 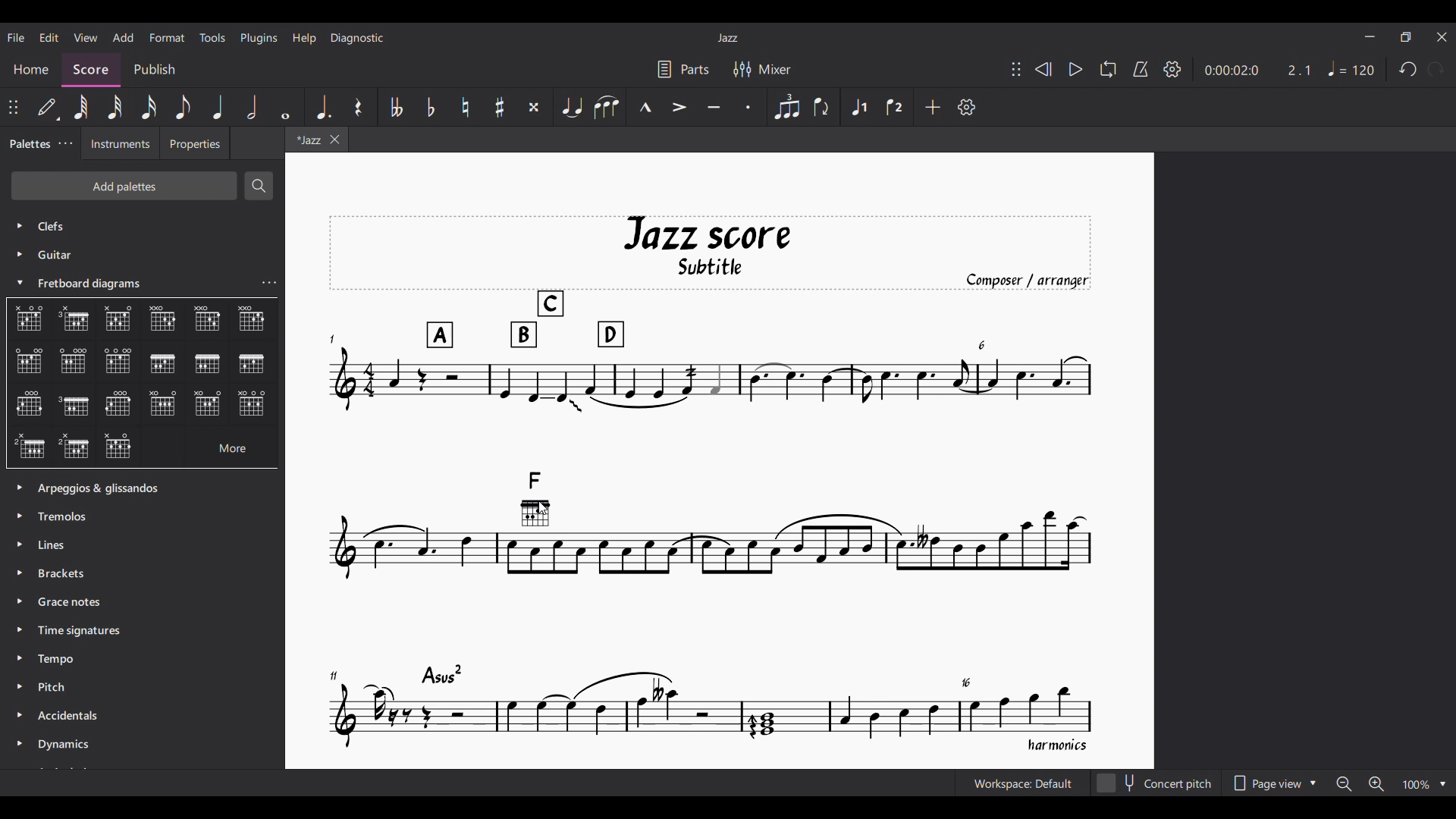 I want to click on Metronome, so click(x=1141, y=70).